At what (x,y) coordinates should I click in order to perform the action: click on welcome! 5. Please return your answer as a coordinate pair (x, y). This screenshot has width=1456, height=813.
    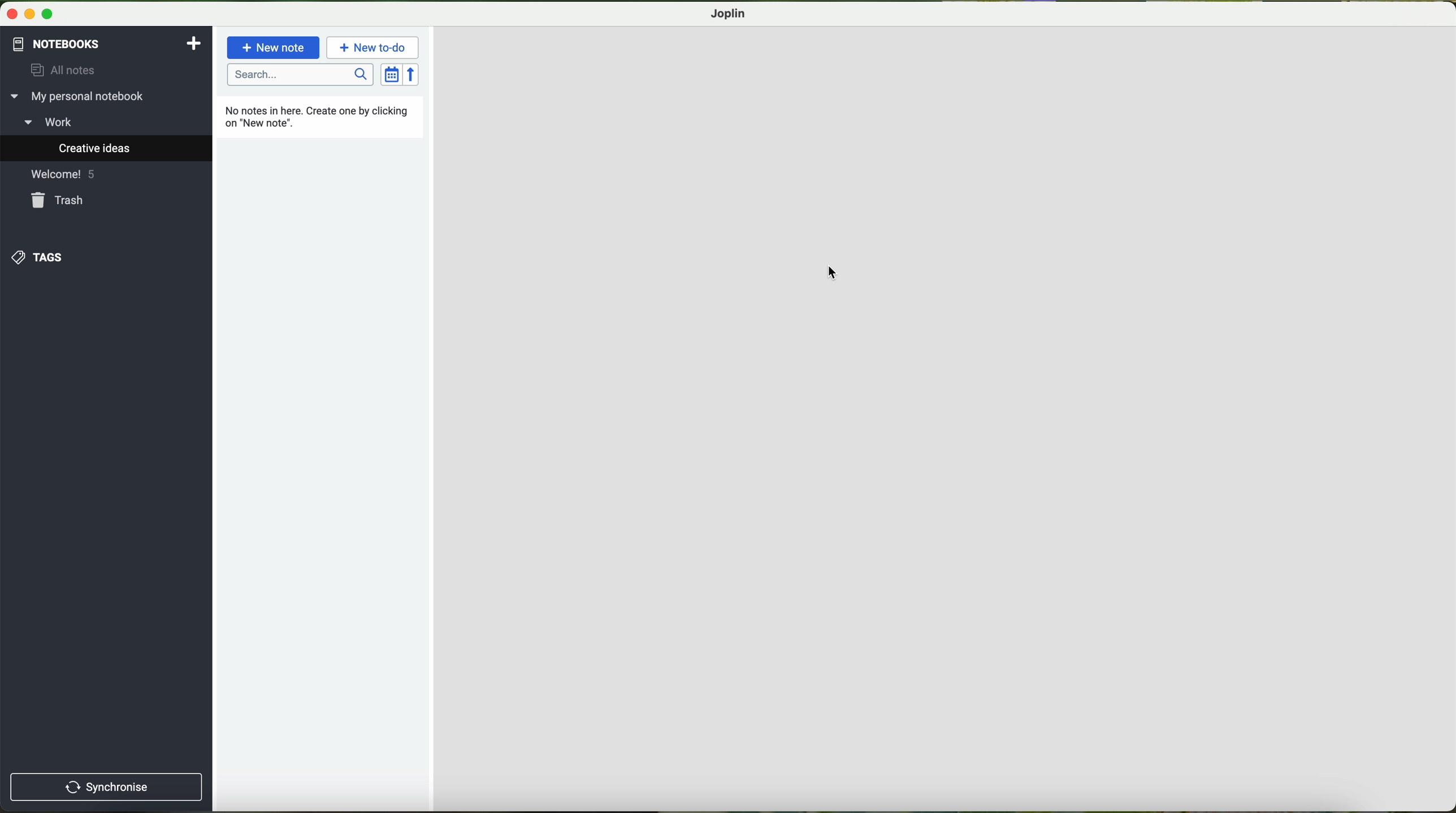
    Looking at the image, I should click on (60, 175).